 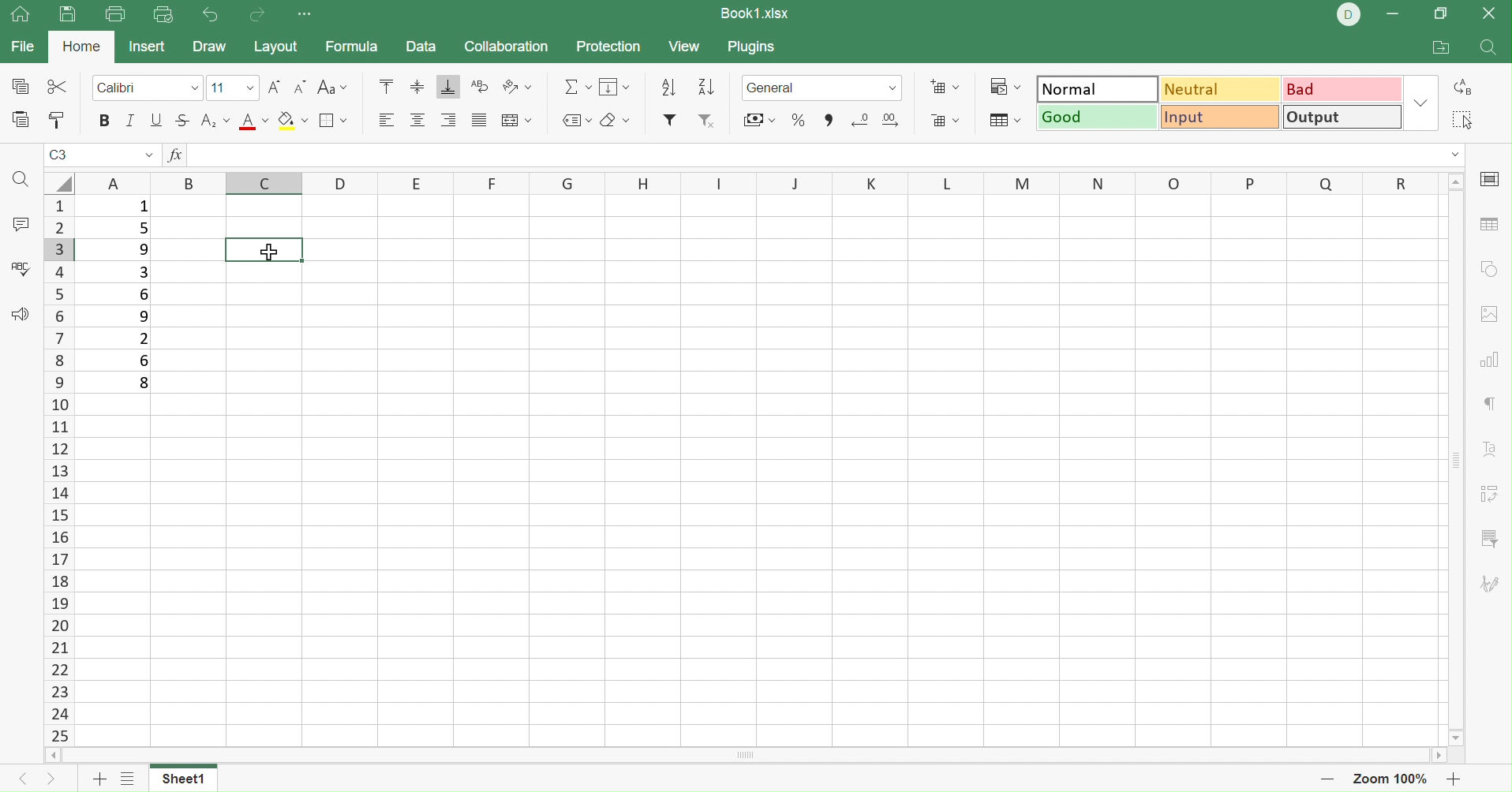 What do you see at coordinates (253, 121) in the screenshot?
I see `Font` at bounding box center [253, 121].